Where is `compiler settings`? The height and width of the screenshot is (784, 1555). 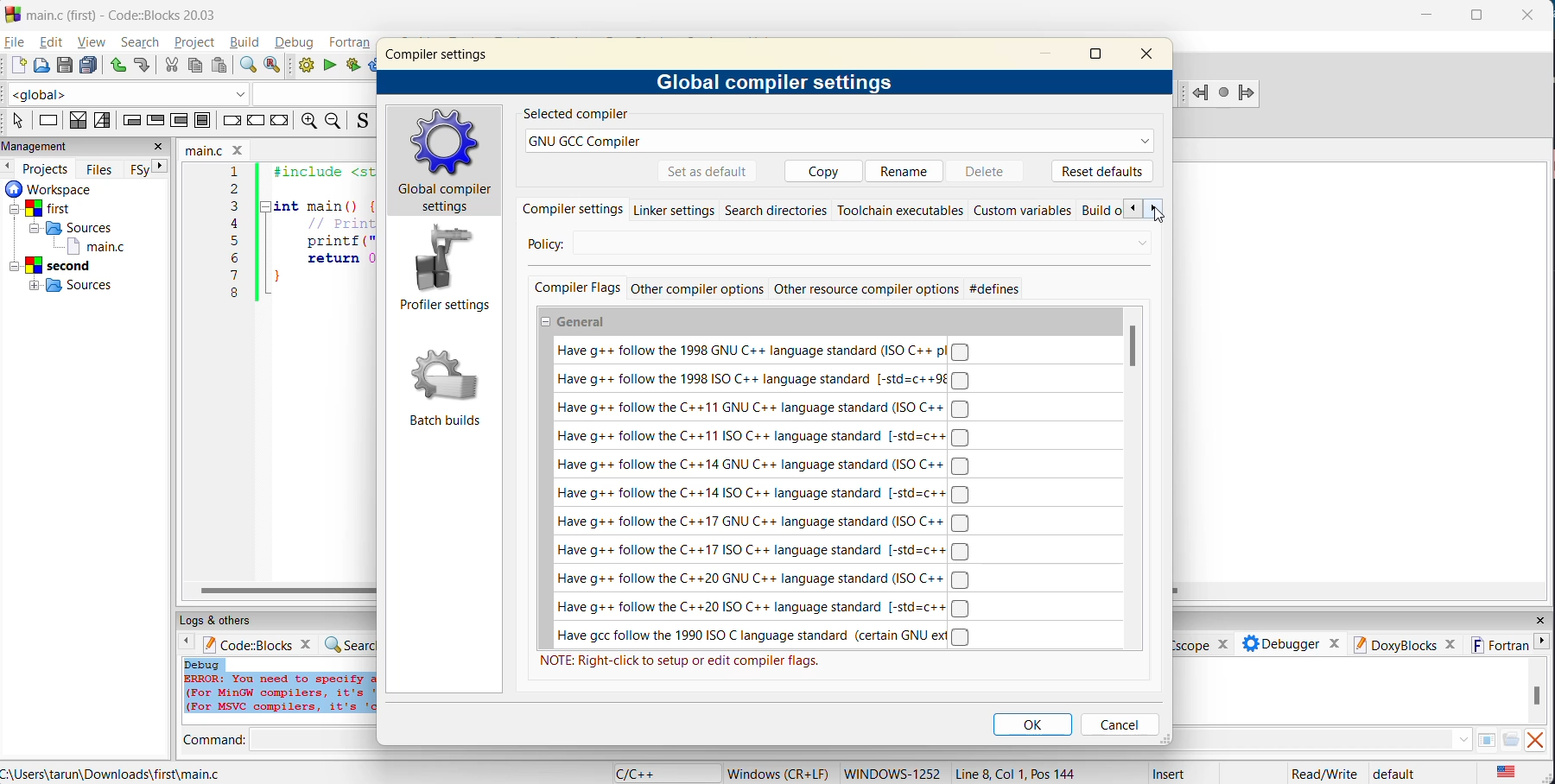
compiler settings is located at coordinates (443, 59).